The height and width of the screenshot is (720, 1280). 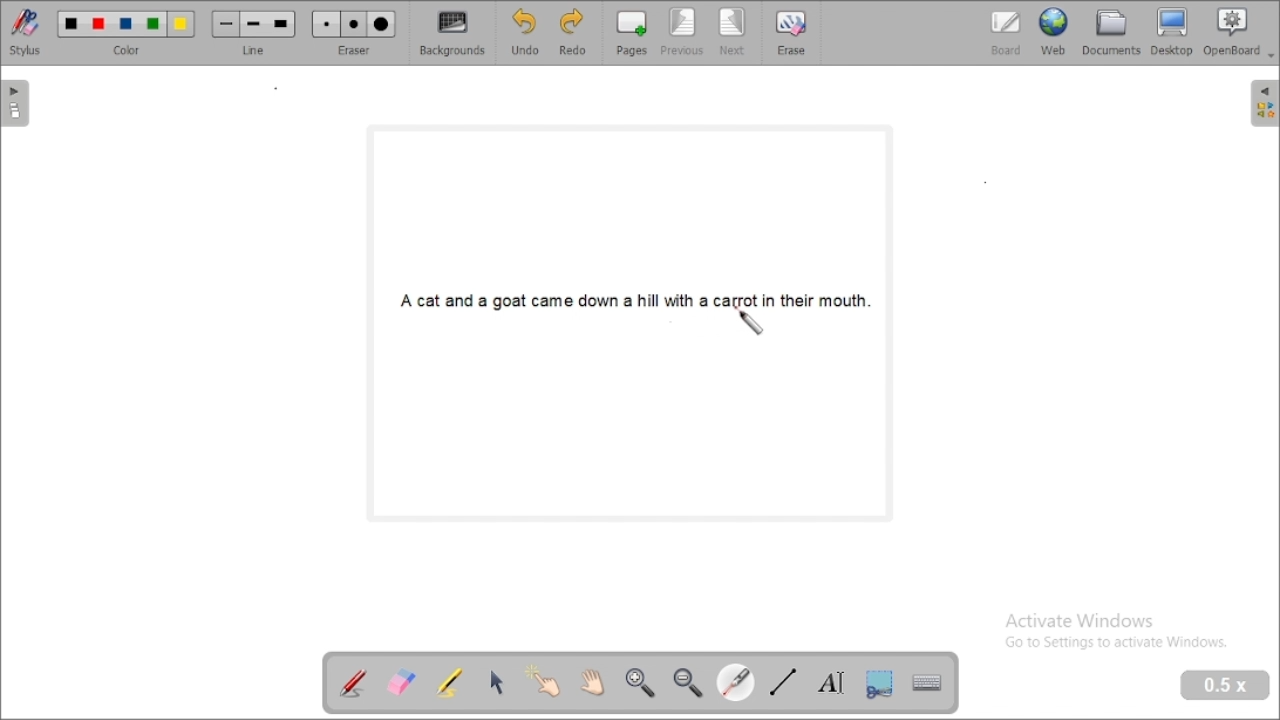 I want to click on display virtual keyboard, so click(x=928, y=683).